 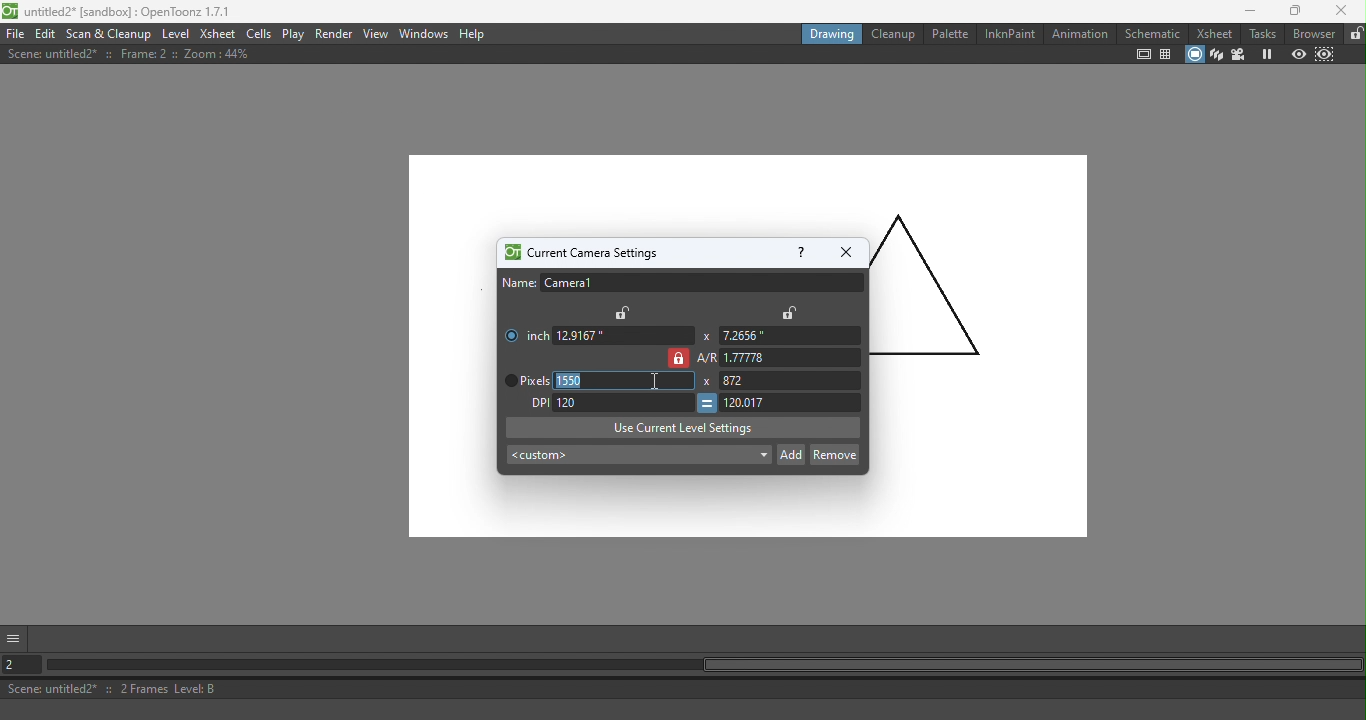 I want to click on Sub-camera preview, so click(x=1323, y=55).